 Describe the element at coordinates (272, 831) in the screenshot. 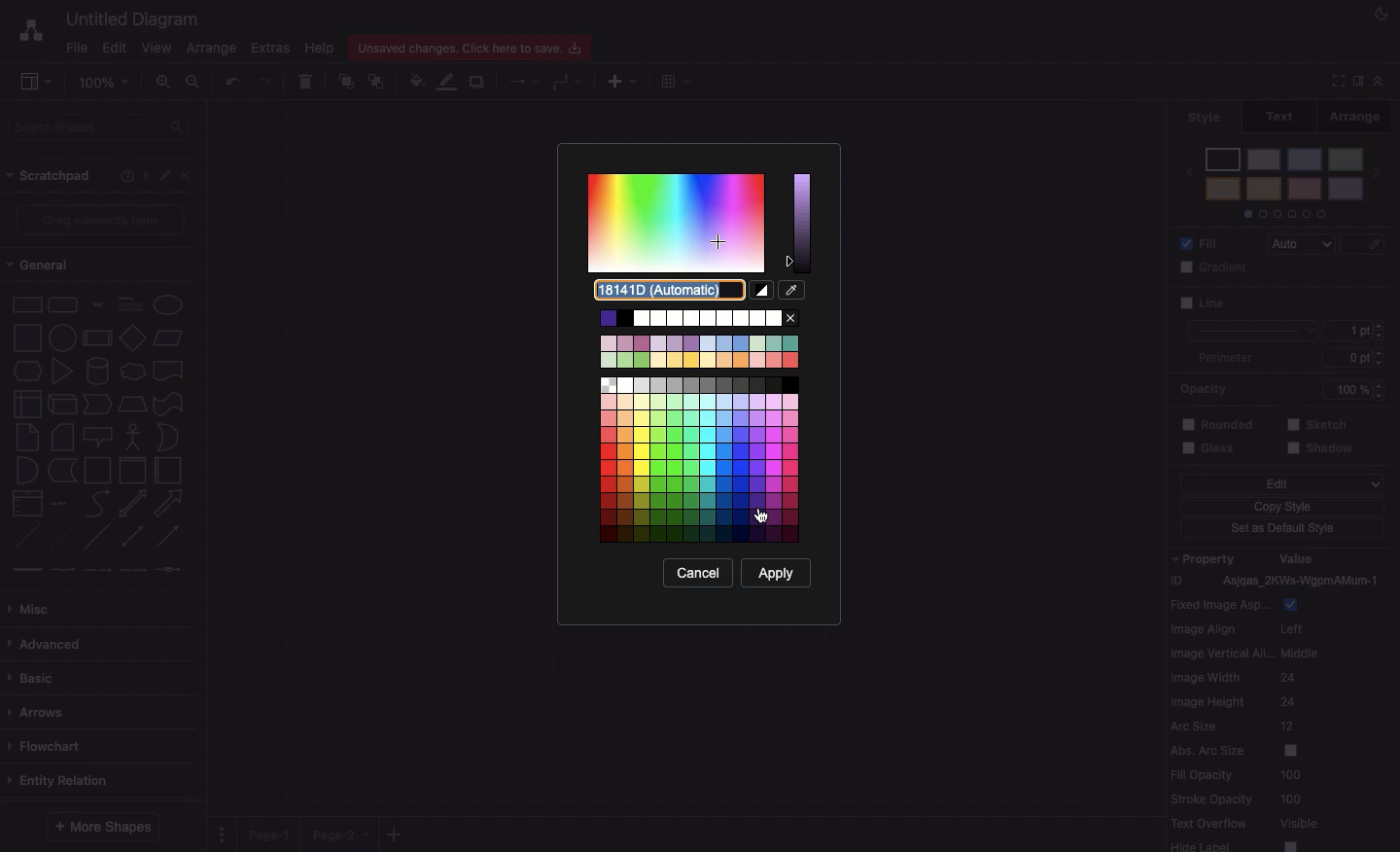

I see `Page 1` at that location.